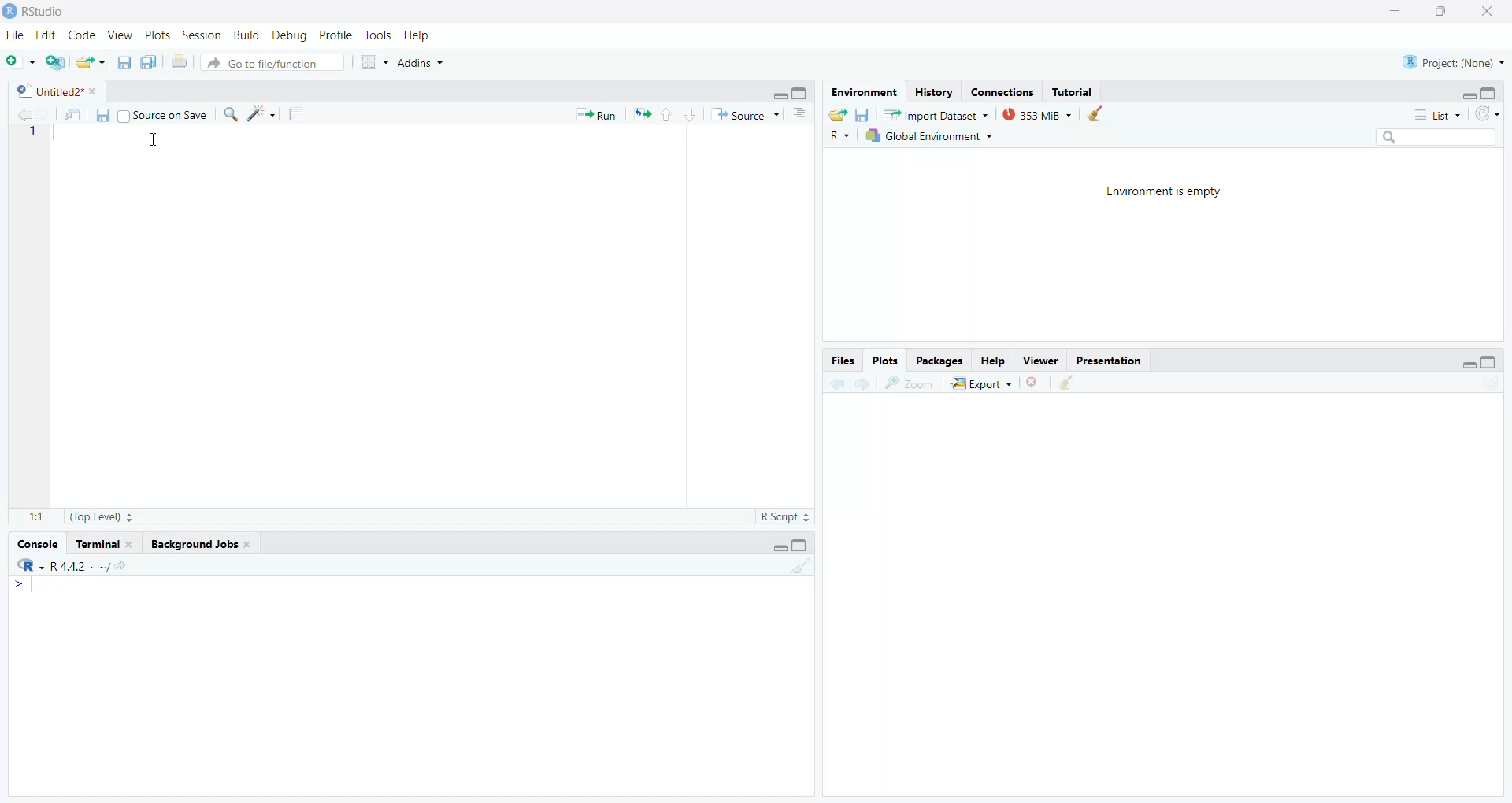  What do you see at coordinates (861, 91) in the screenshot?
I see `Environment` at bounding box center [861, 91].